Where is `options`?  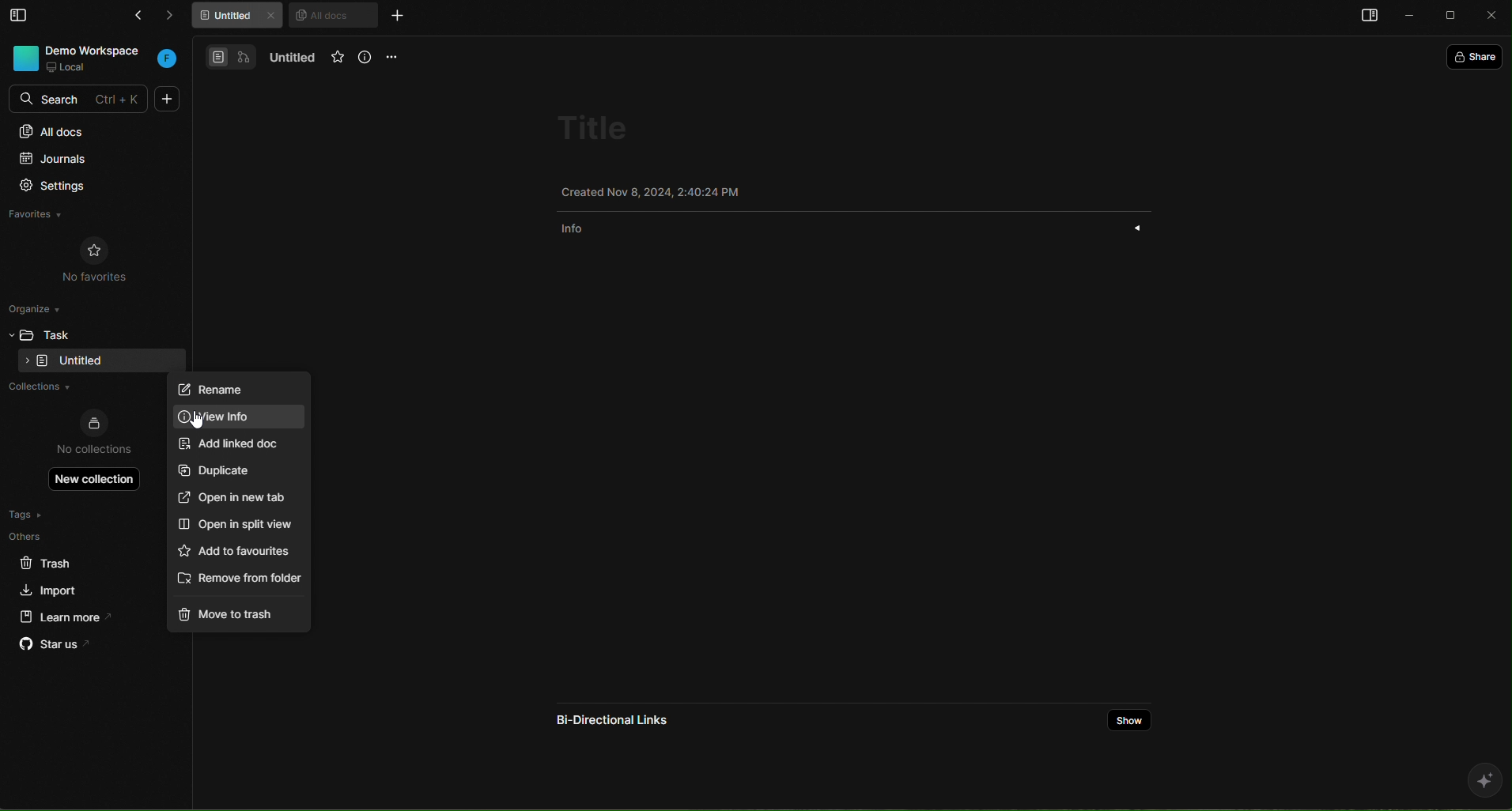
options is located at coordinates (395, 56).